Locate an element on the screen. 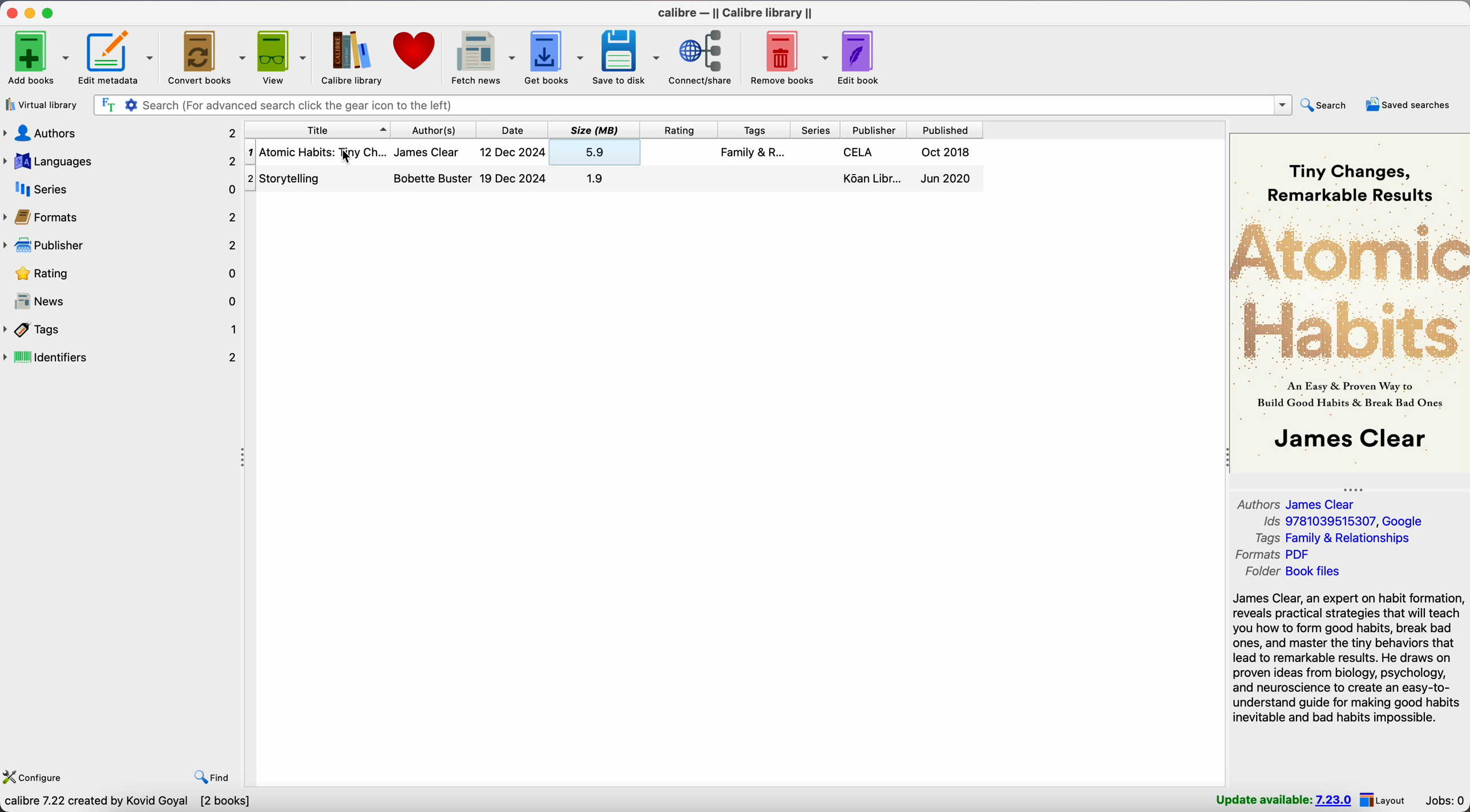 The image size is (1470, 812). rating is located at coordinates (126, 274).